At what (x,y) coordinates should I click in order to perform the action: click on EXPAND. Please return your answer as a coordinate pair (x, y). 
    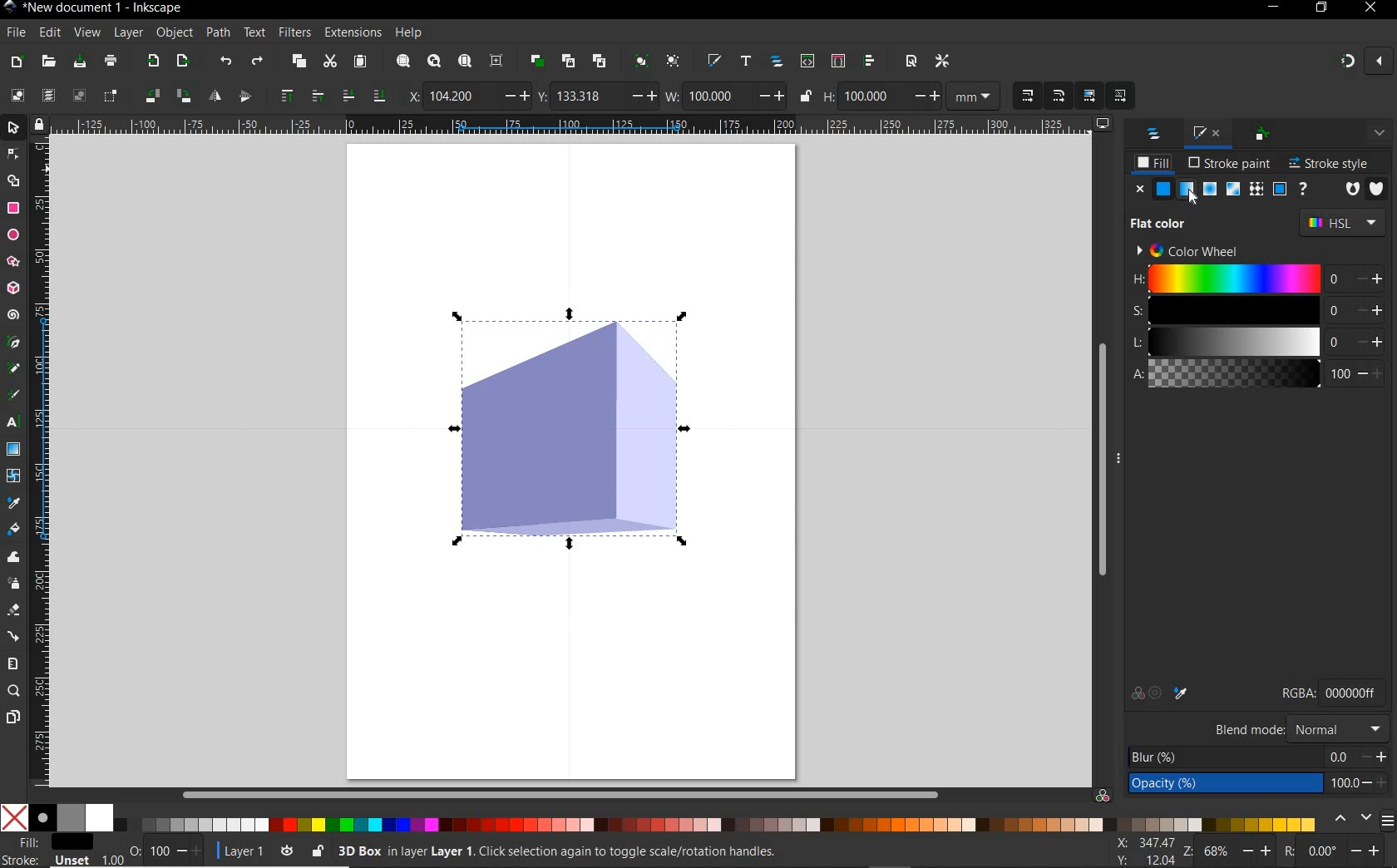
    Looking at the image, I should click on (1378, 133).